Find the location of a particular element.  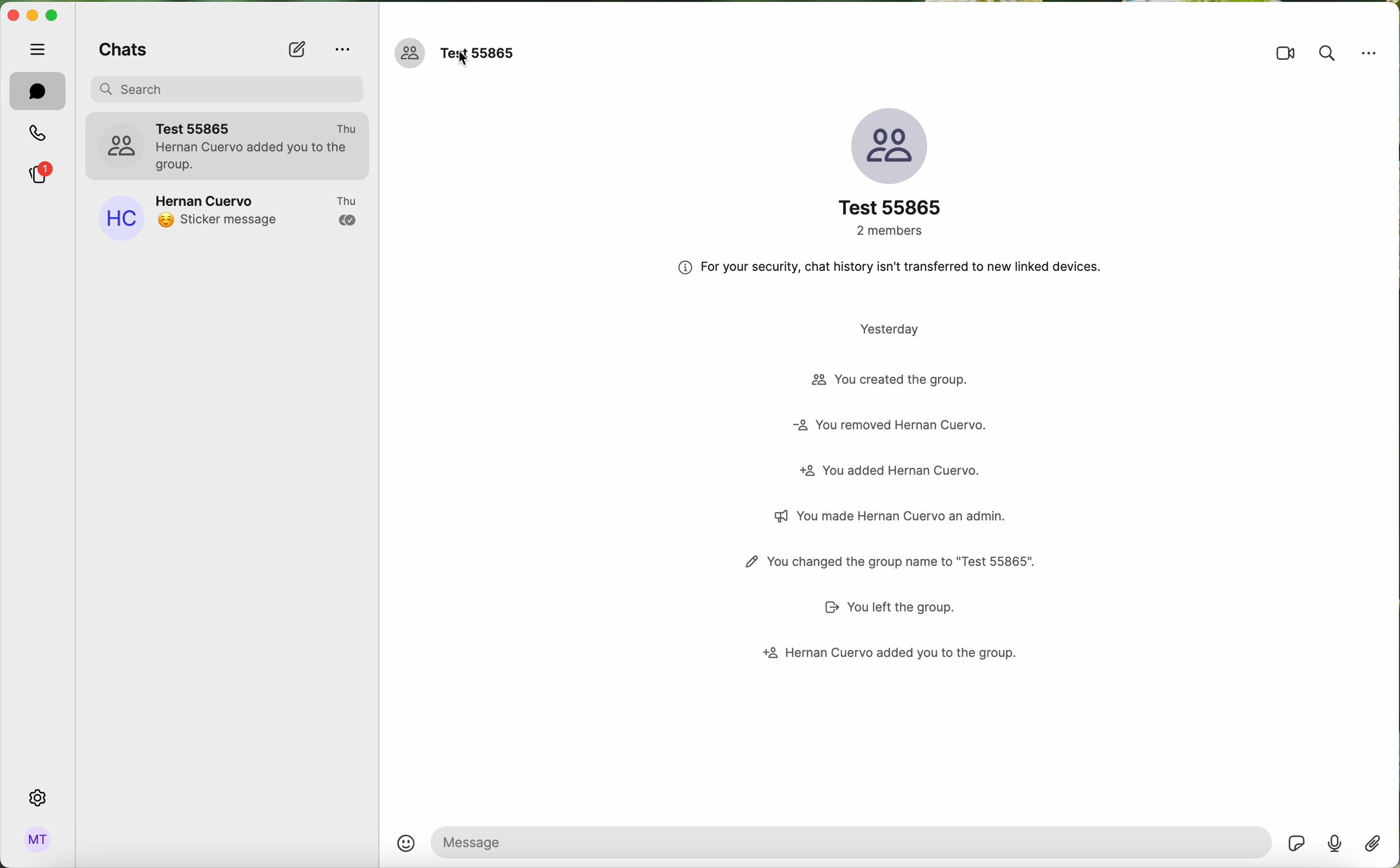

voice record is located at coordinates (1335, 843).